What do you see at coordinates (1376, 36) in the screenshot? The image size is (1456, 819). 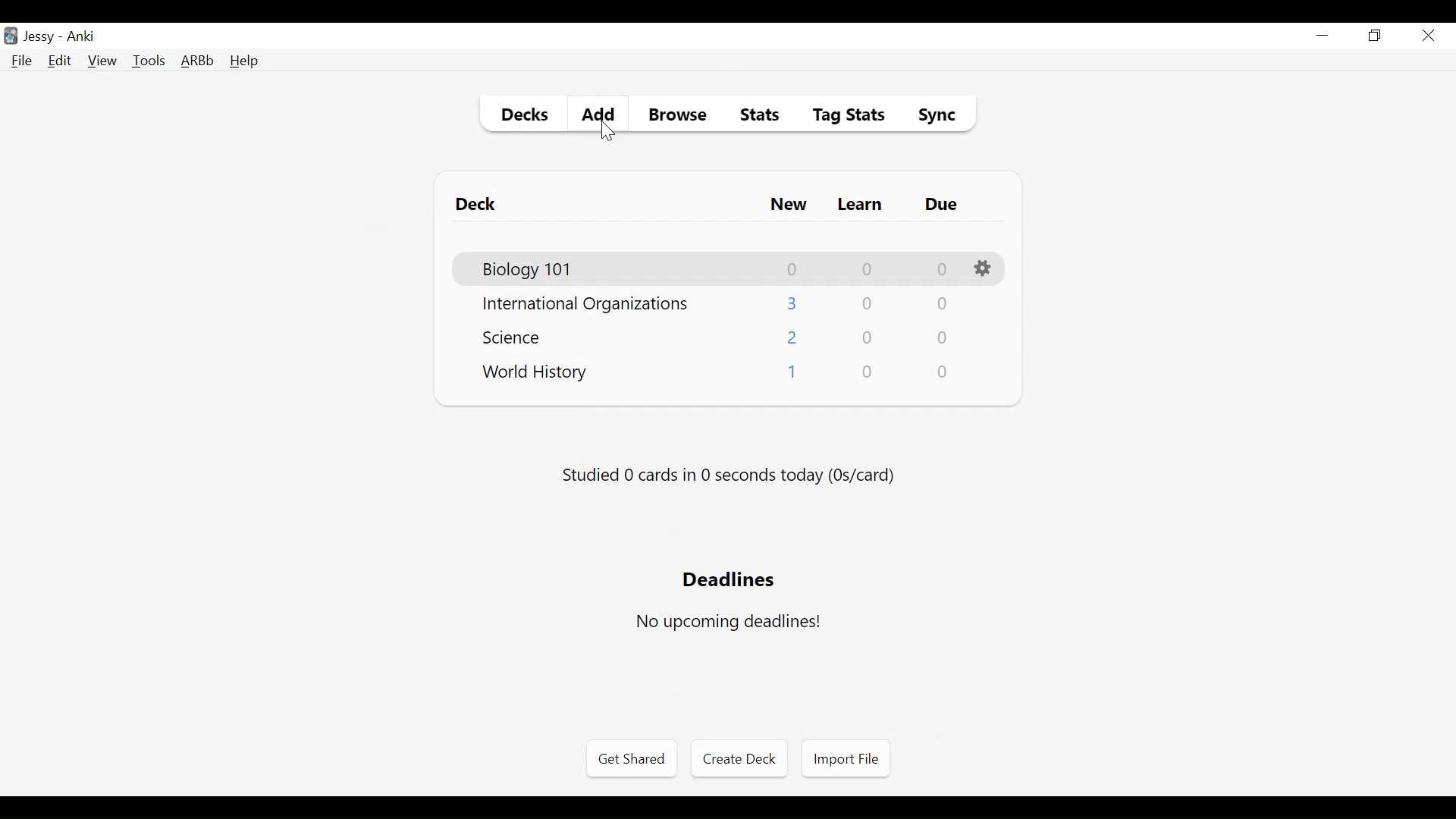 I see `Restore` at bounding box center [1376, 36].